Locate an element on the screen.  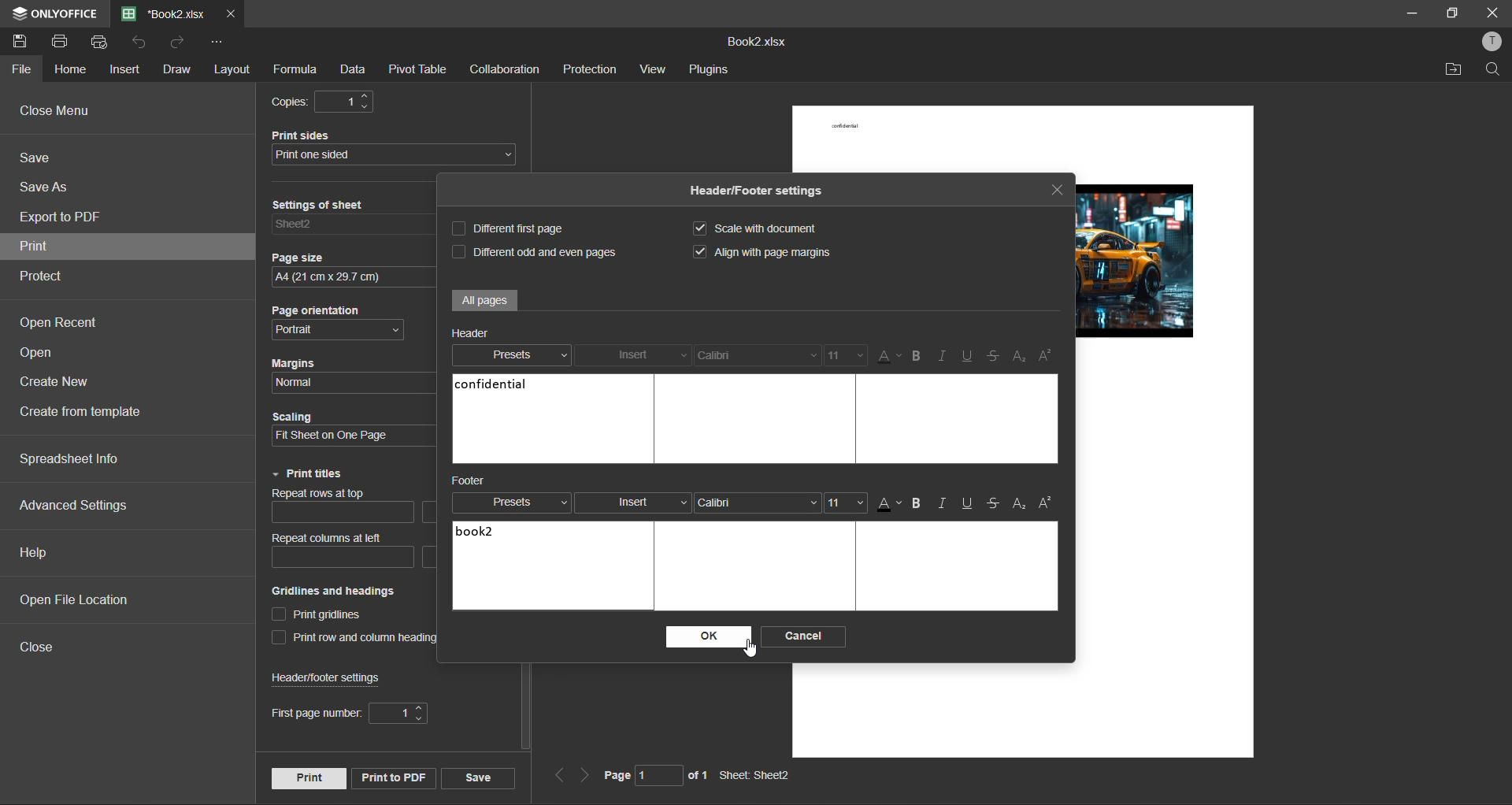
page size is located at coordinates (350, 278).